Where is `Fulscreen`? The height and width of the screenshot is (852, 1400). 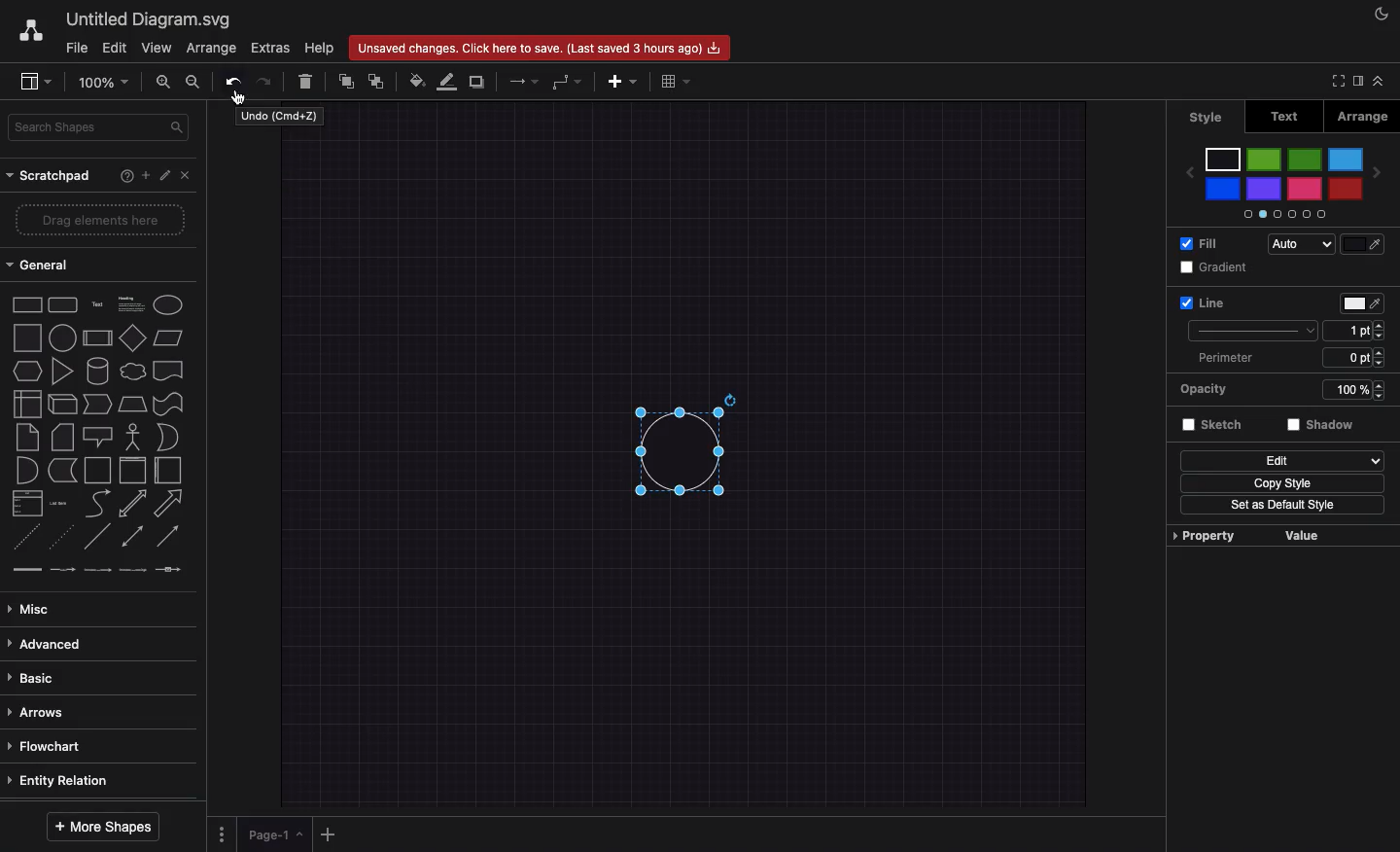
Fulscreen is located at coordinates (1338, 81).